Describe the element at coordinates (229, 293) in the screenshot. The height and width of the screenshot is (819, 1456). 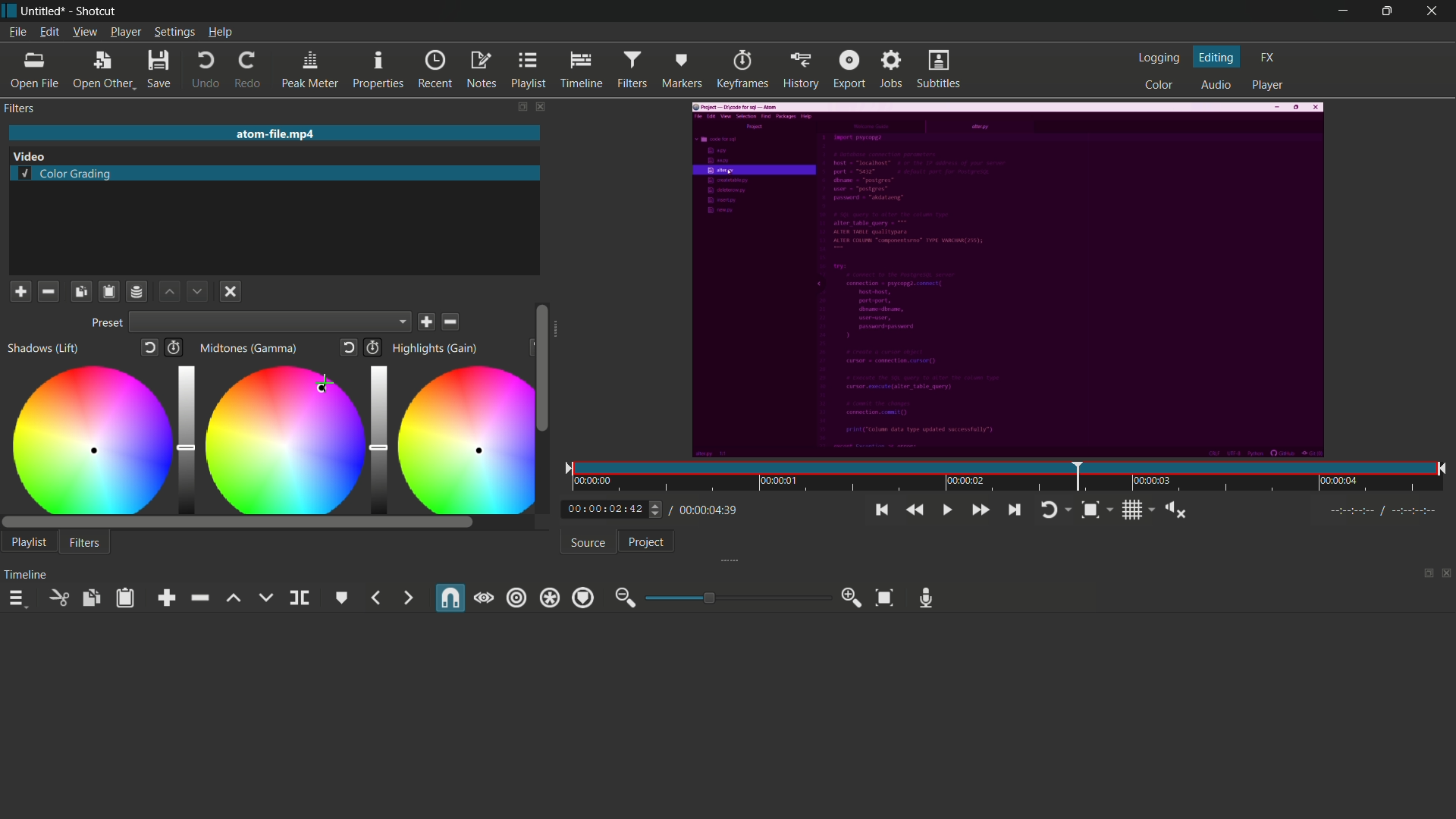
I see `Close` at that location.